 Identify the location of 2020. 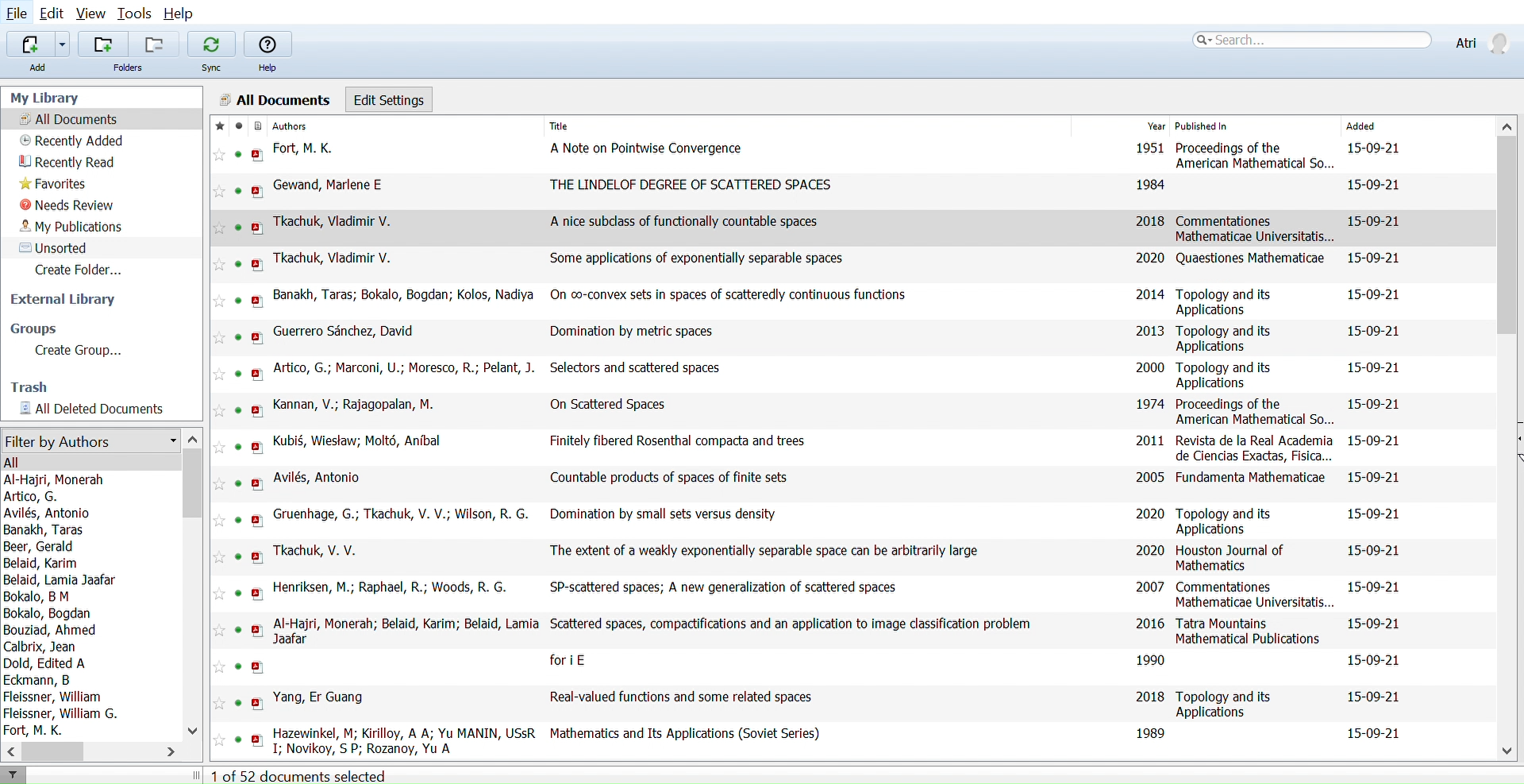
(1148, 256).